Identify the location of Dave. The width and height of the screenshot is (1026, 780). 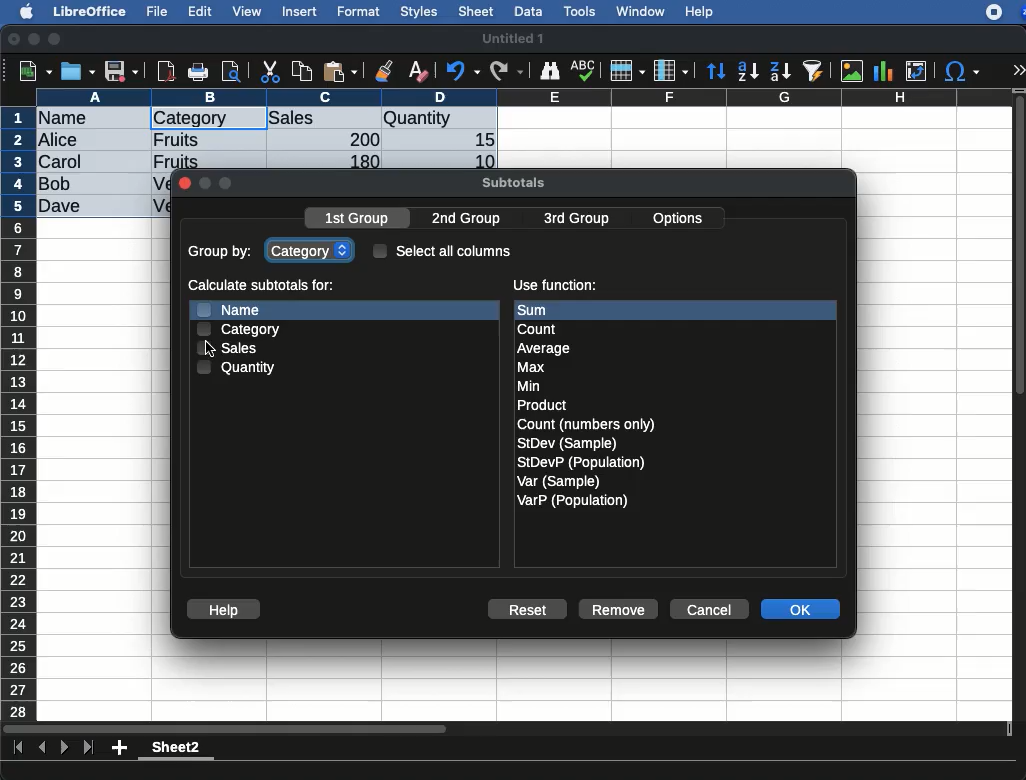
(64, 207).